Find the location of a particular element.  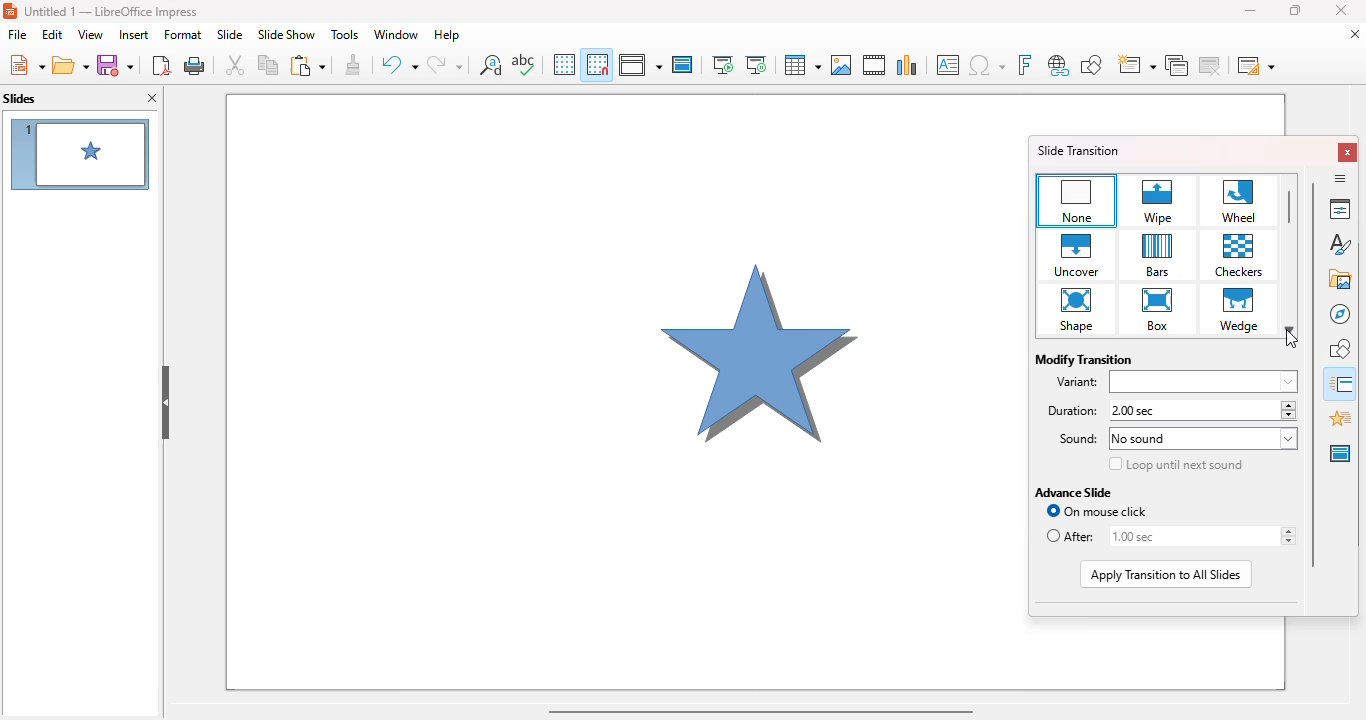

slide transition is located at coordinates (1079, 150).